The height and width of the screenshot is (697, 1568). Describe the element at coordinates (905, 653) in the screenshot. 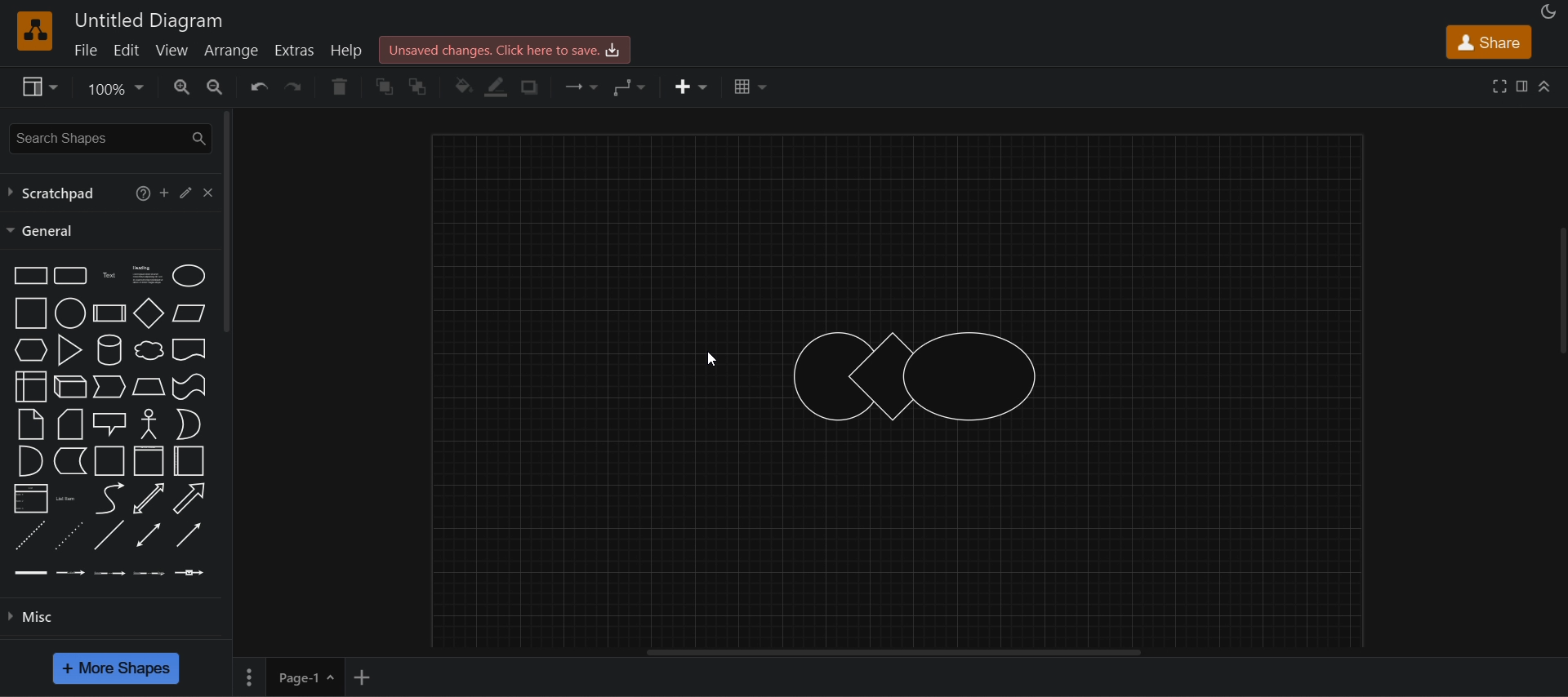

I see `horizontal scroll bar` at that location.